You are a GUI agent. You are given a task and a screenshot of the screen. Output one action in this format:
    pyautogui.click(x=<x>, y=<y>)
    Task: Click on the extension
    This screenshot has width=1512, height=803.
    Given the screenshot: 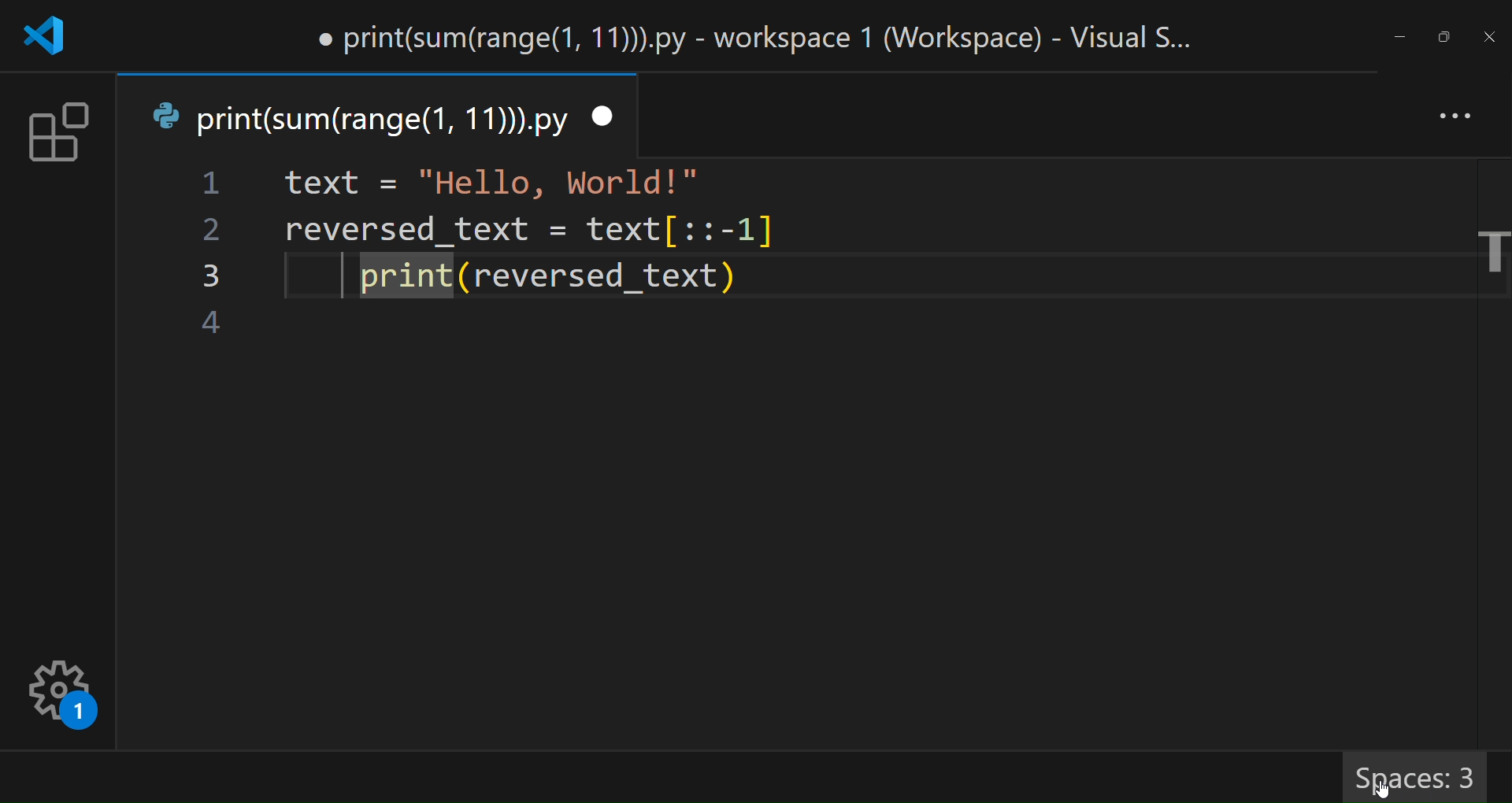 What is the action you would take?
    pyautogui.click(x=57, y=136)
    